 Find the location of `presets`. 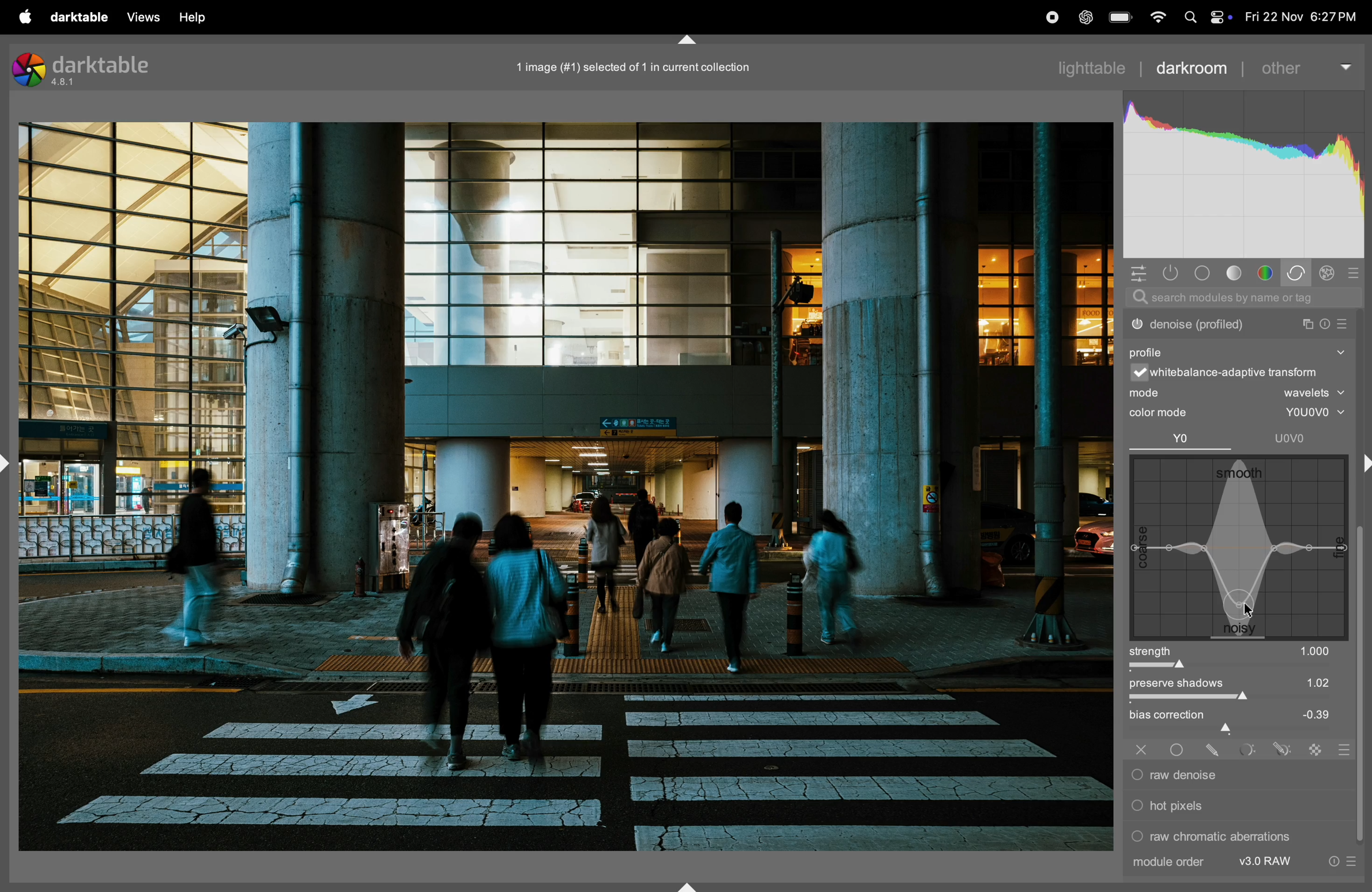

presets is located at coordinates (1354, 274).